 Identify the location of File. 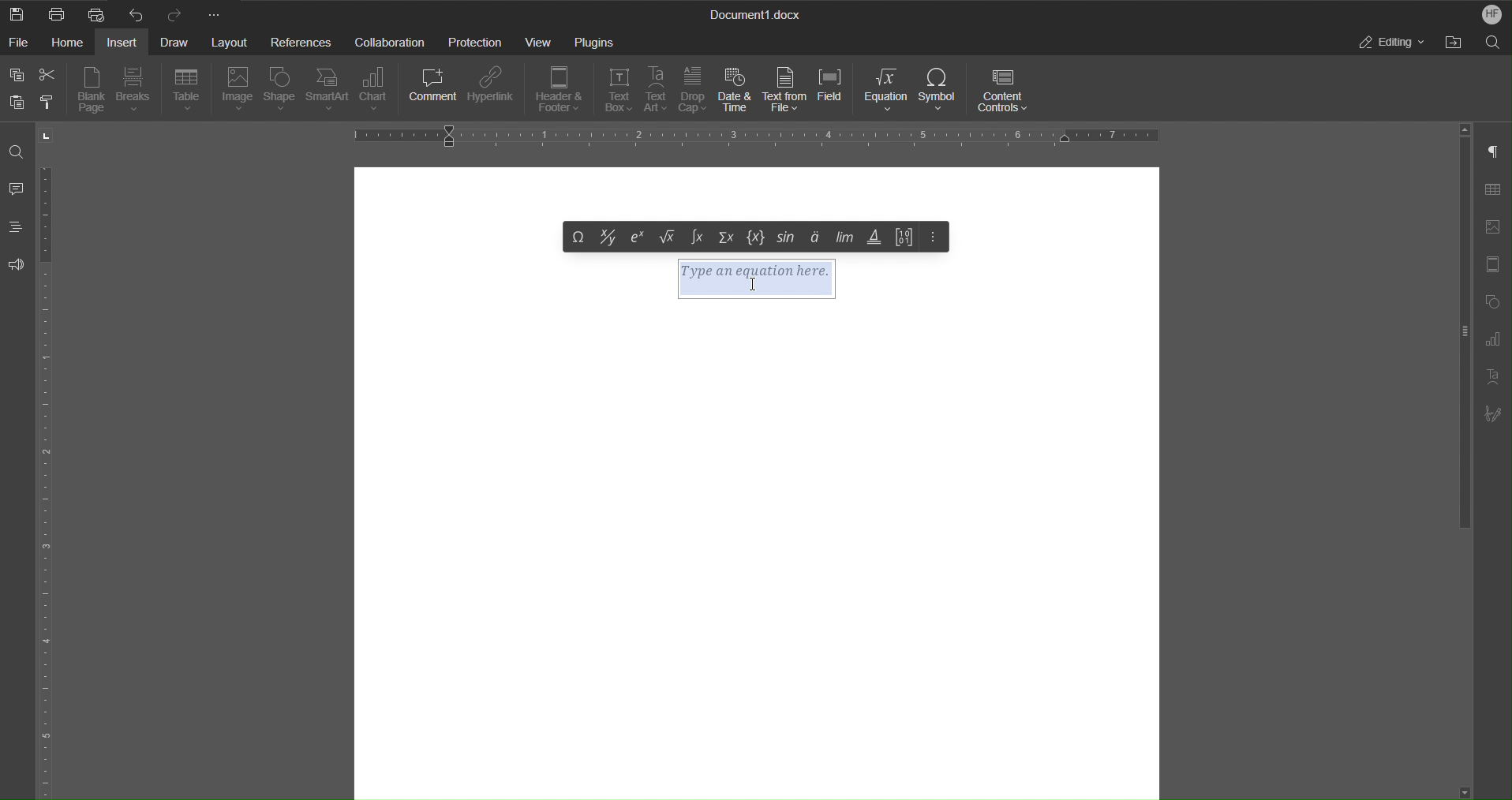
(22, 44).